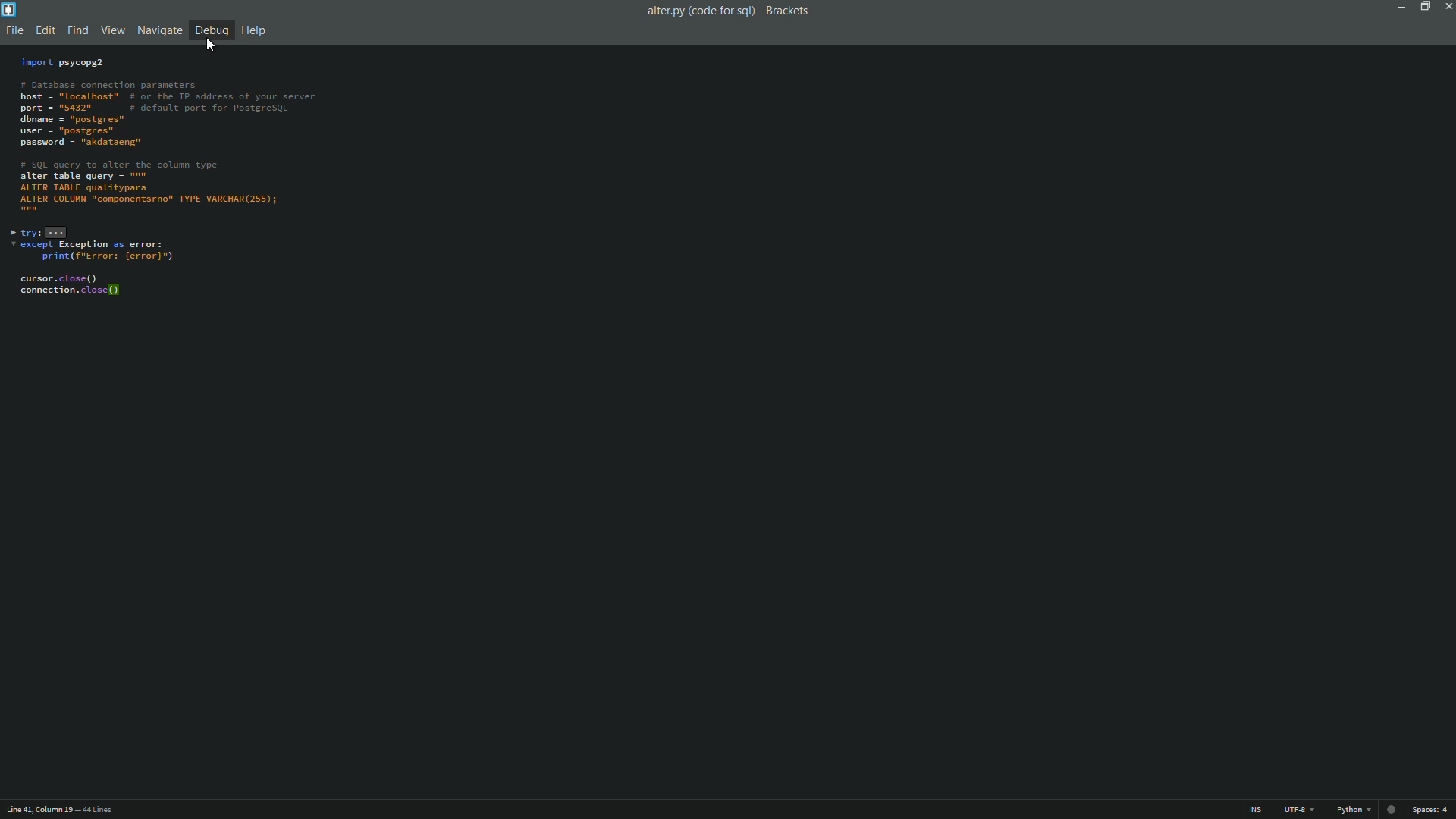  I want to click on INS, so click(1257, 811).